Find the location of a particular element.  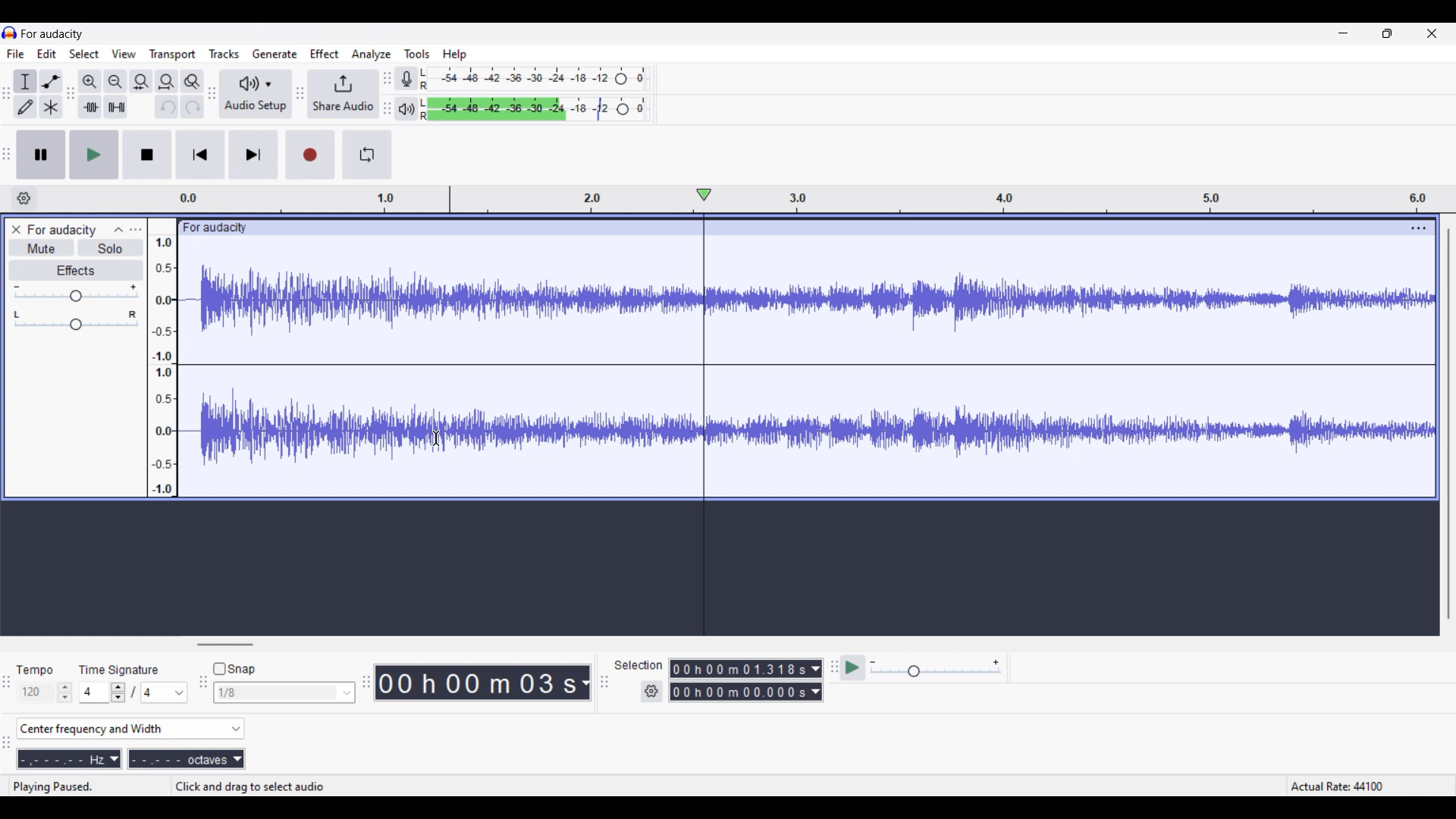

Silence audio selection is located at coordinates (117, 107).